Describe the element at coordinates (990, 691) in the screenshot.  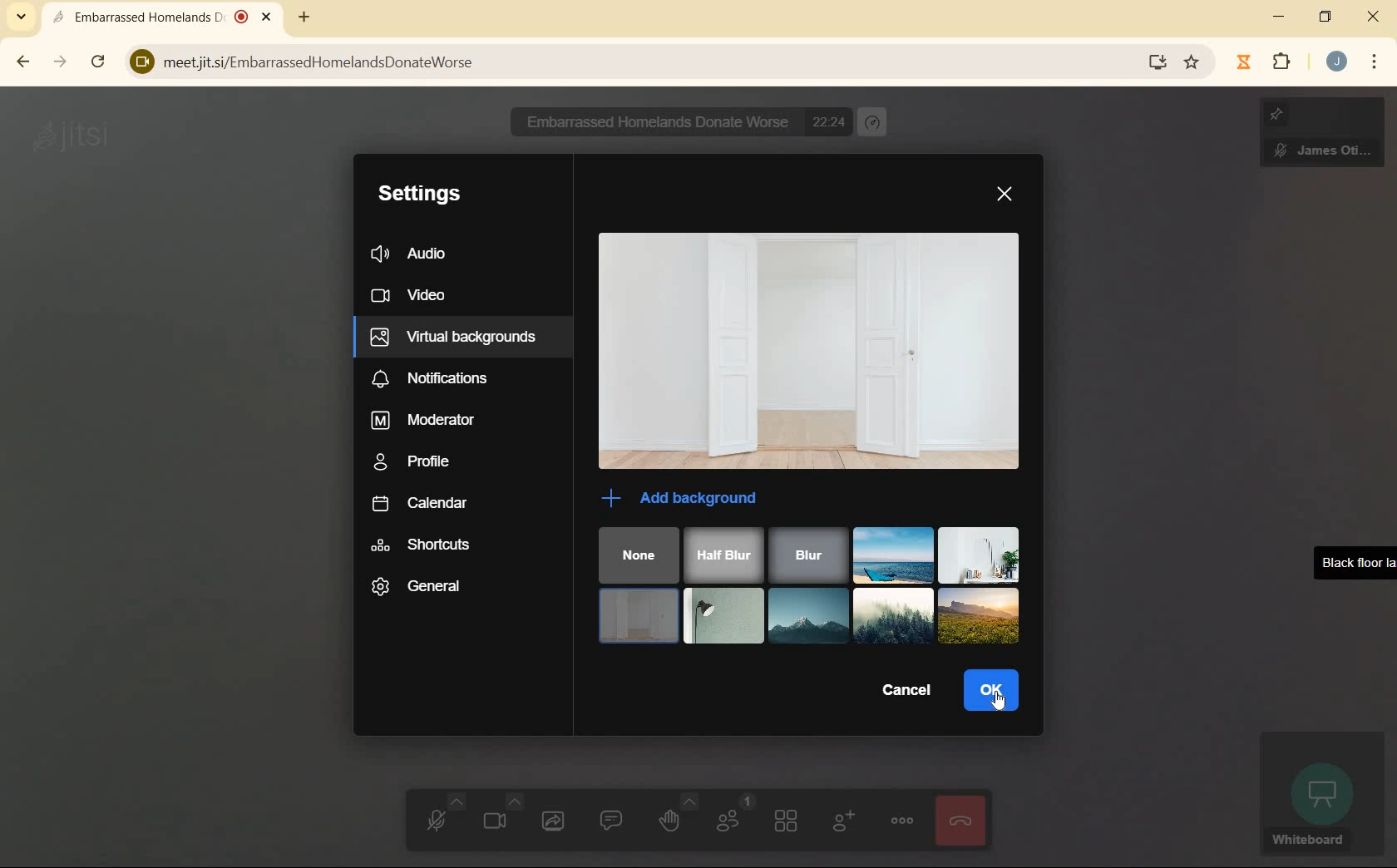
I see `ok` at that location.